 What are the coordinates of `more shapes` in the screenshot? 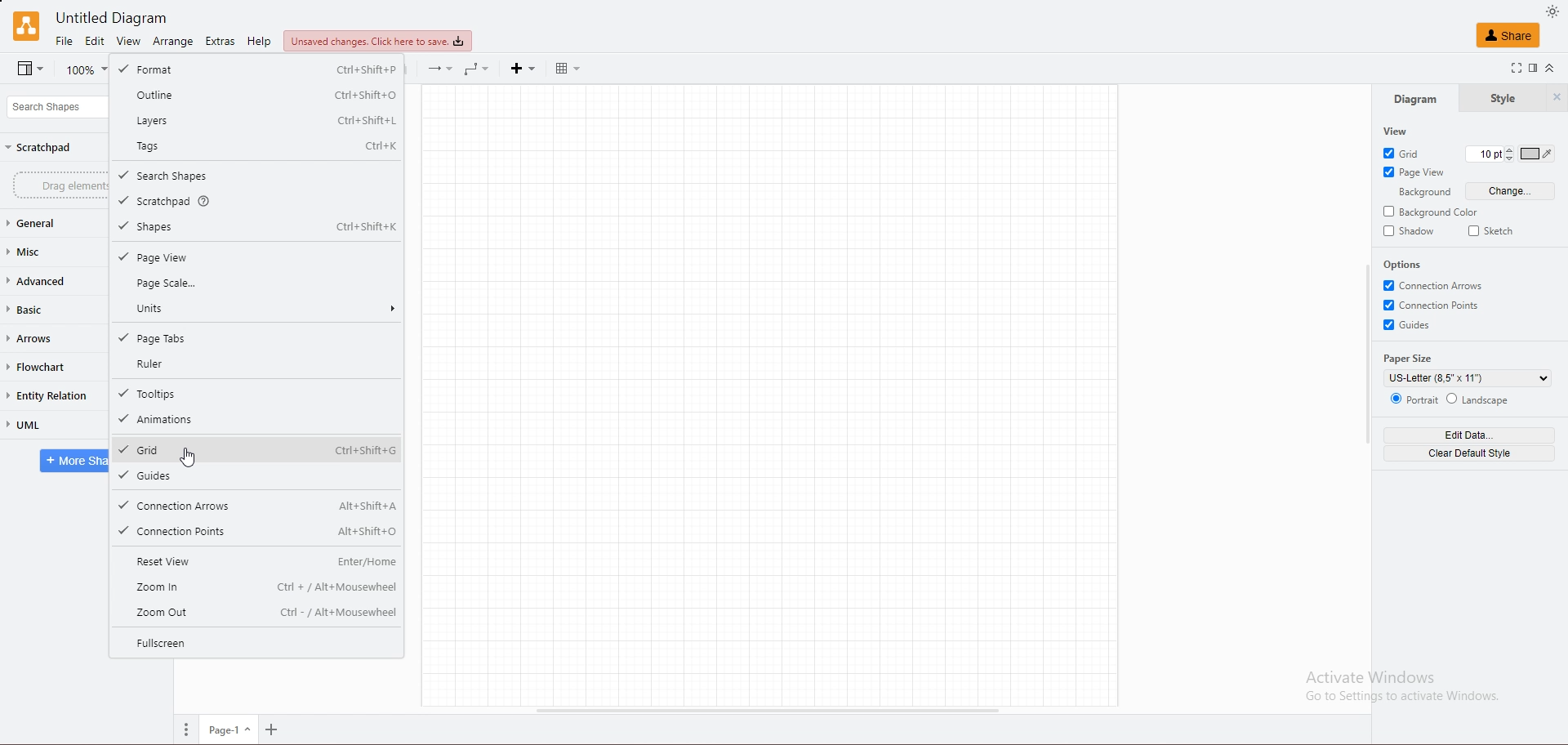 It's located at (73, 462).